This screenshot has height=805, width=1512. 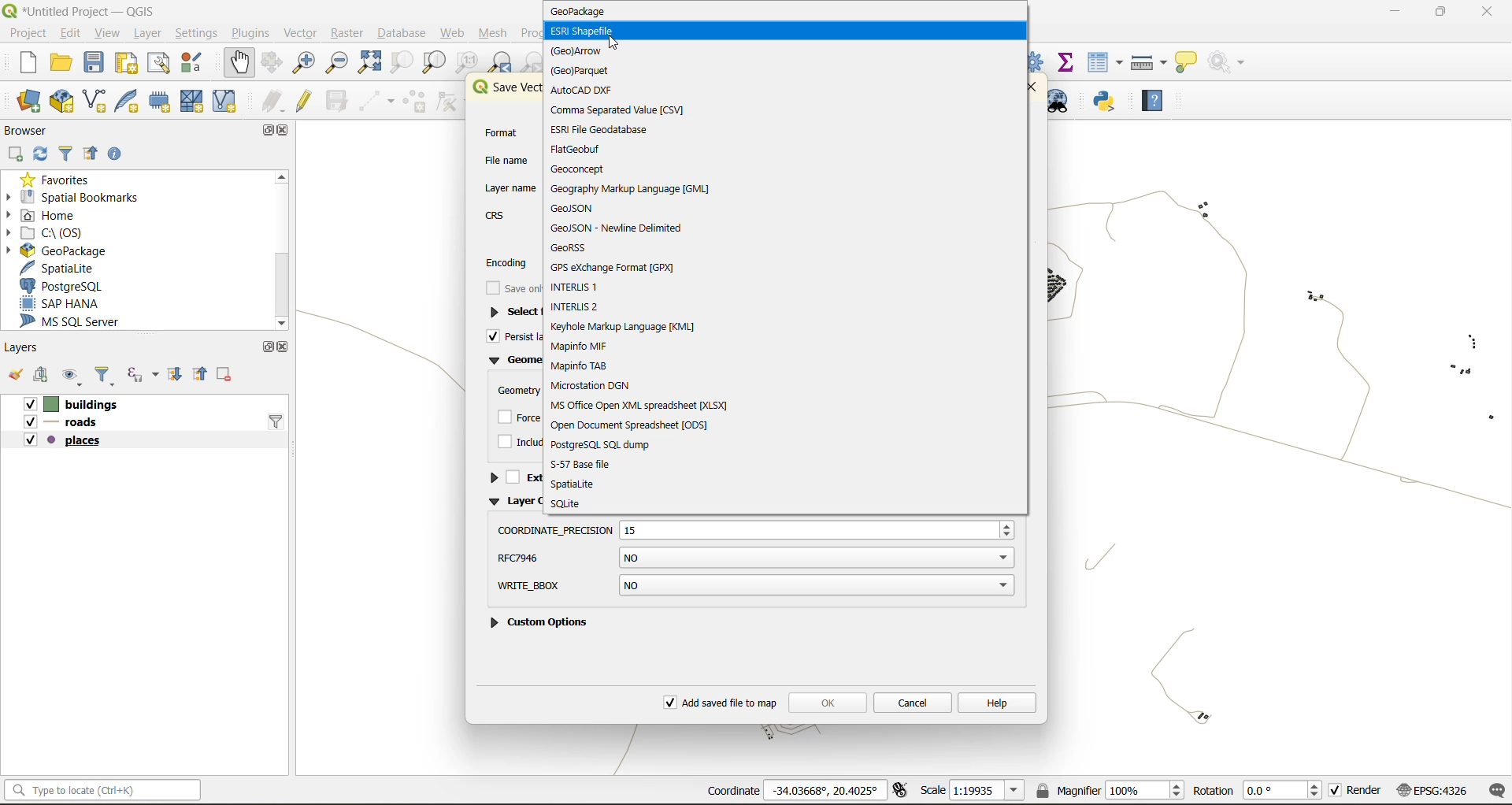 I want to click on scale, so click(x=973, y=792).